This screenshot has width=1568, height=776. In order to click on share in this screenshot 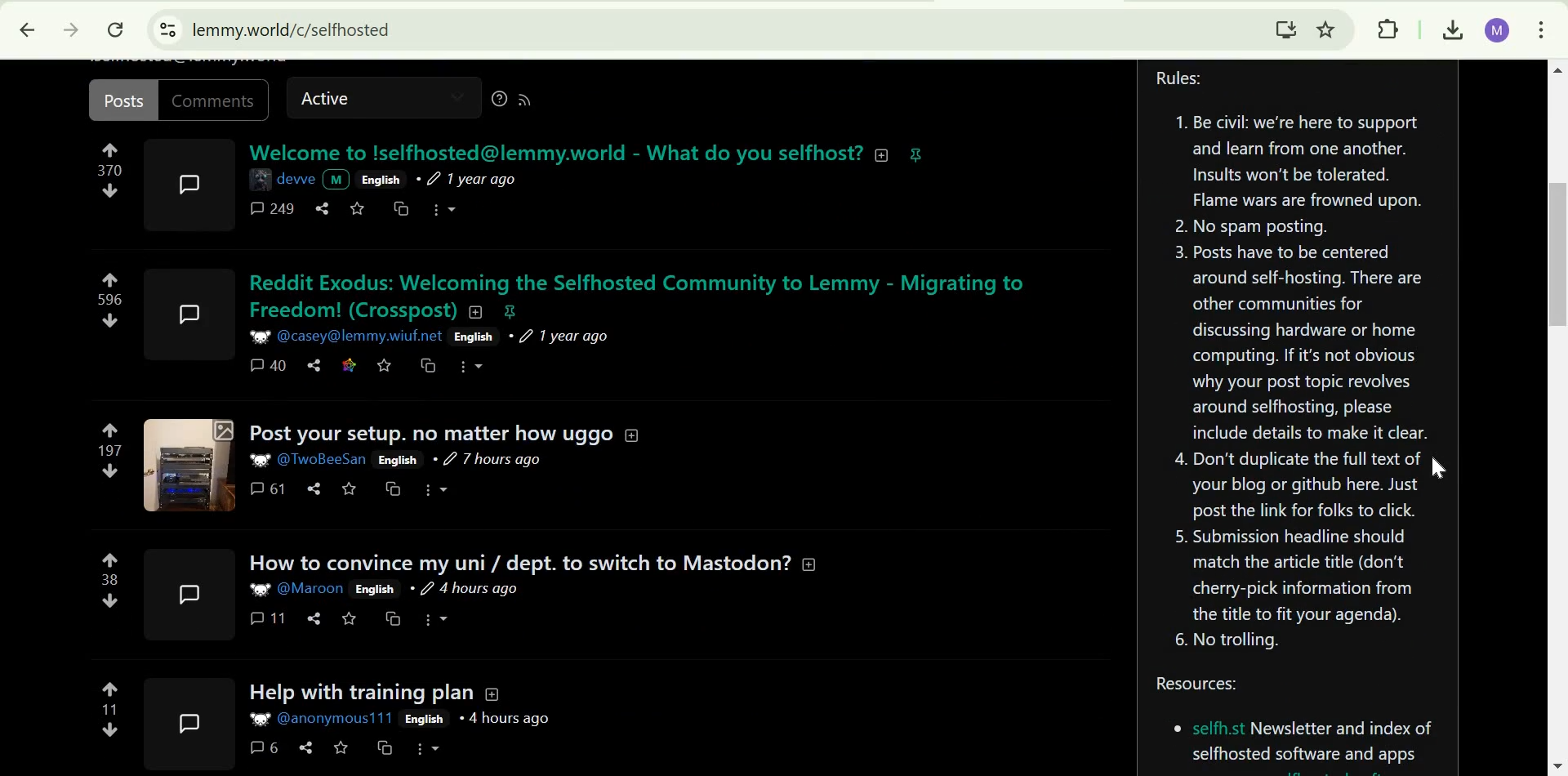, I will do `click(315, 618)`.